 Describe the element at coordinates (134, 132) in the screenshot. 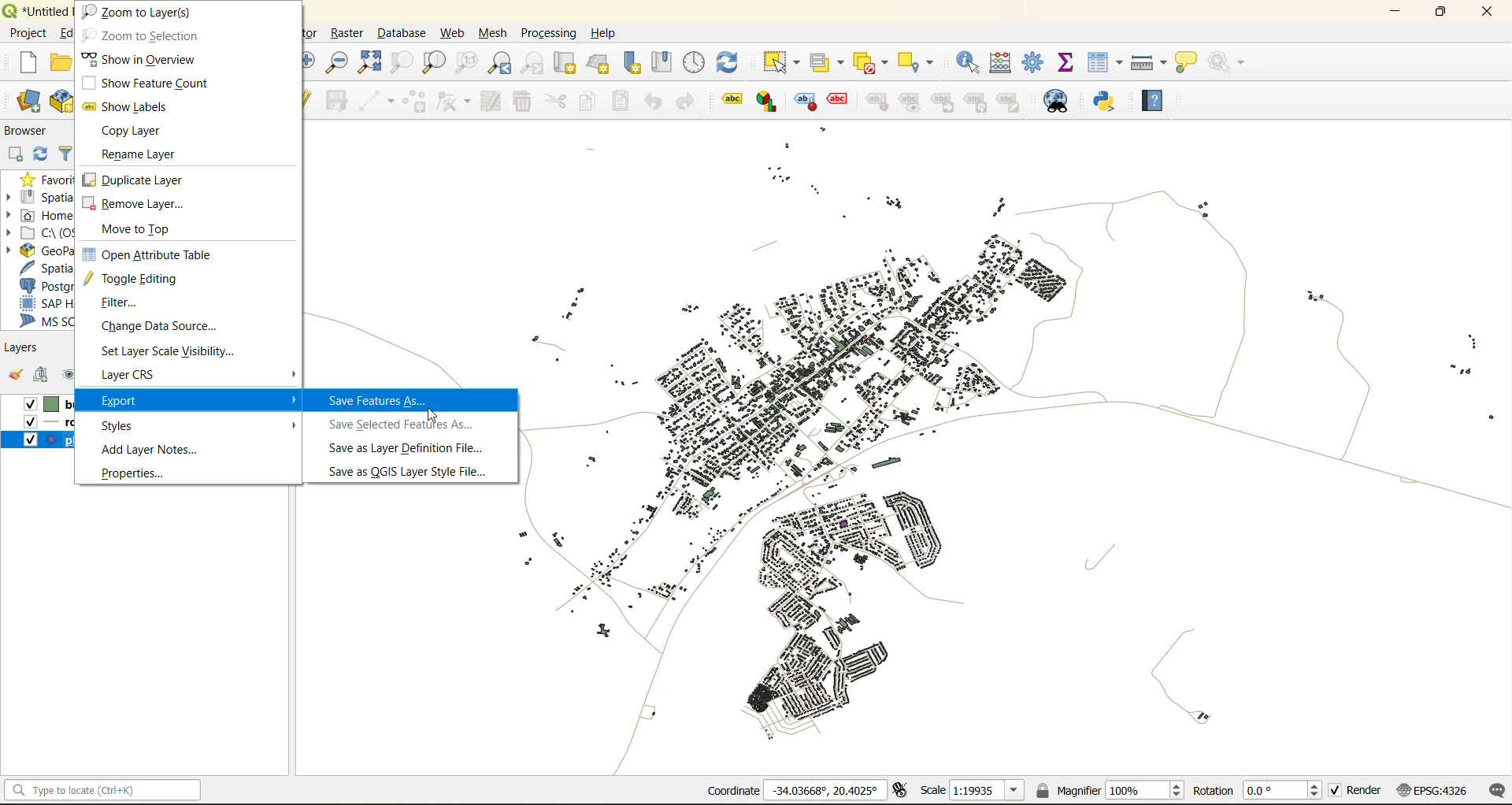

I see `copy layer` at that location.